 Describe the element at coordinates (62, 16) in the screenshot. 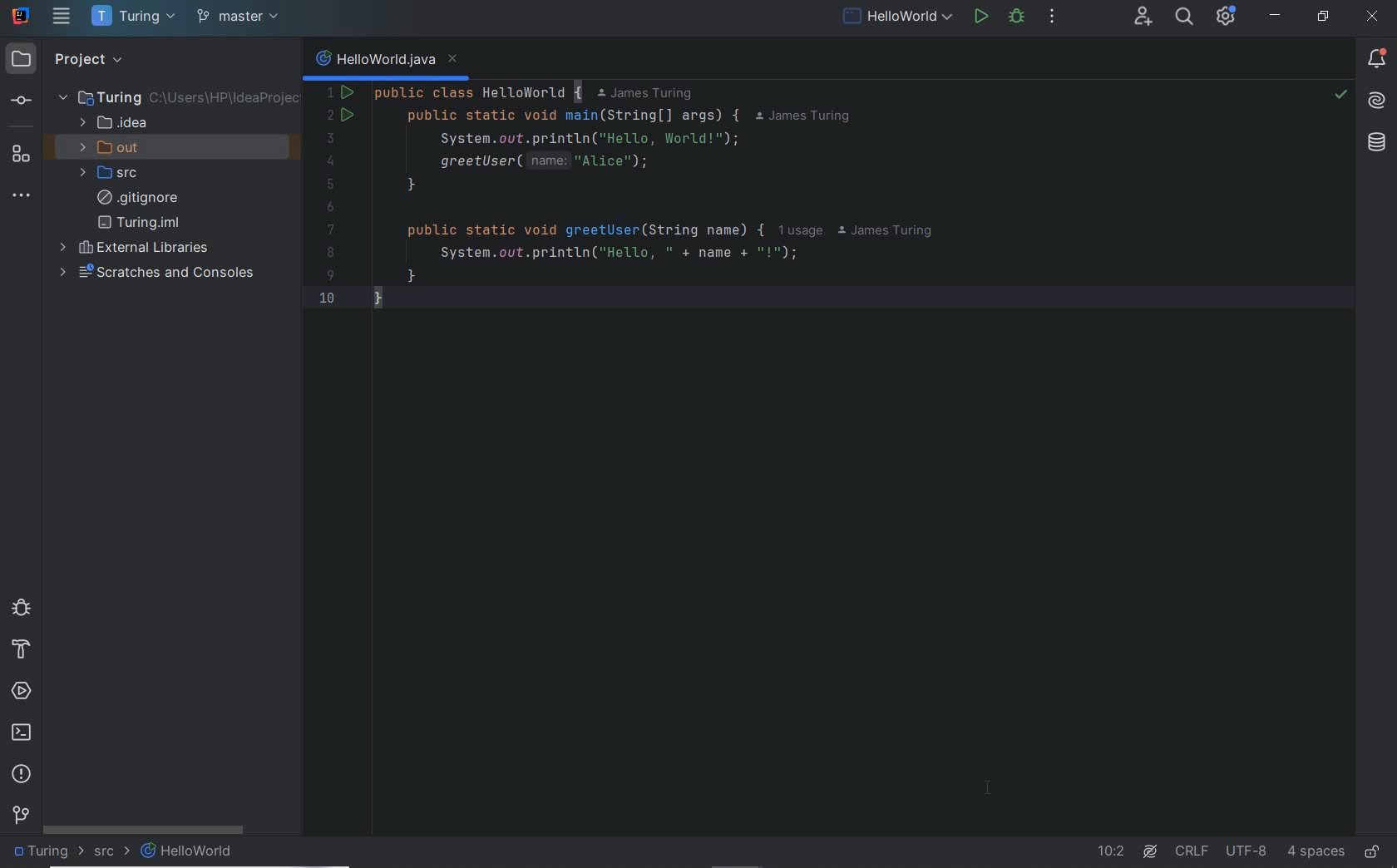

I see `main menu` at that location.